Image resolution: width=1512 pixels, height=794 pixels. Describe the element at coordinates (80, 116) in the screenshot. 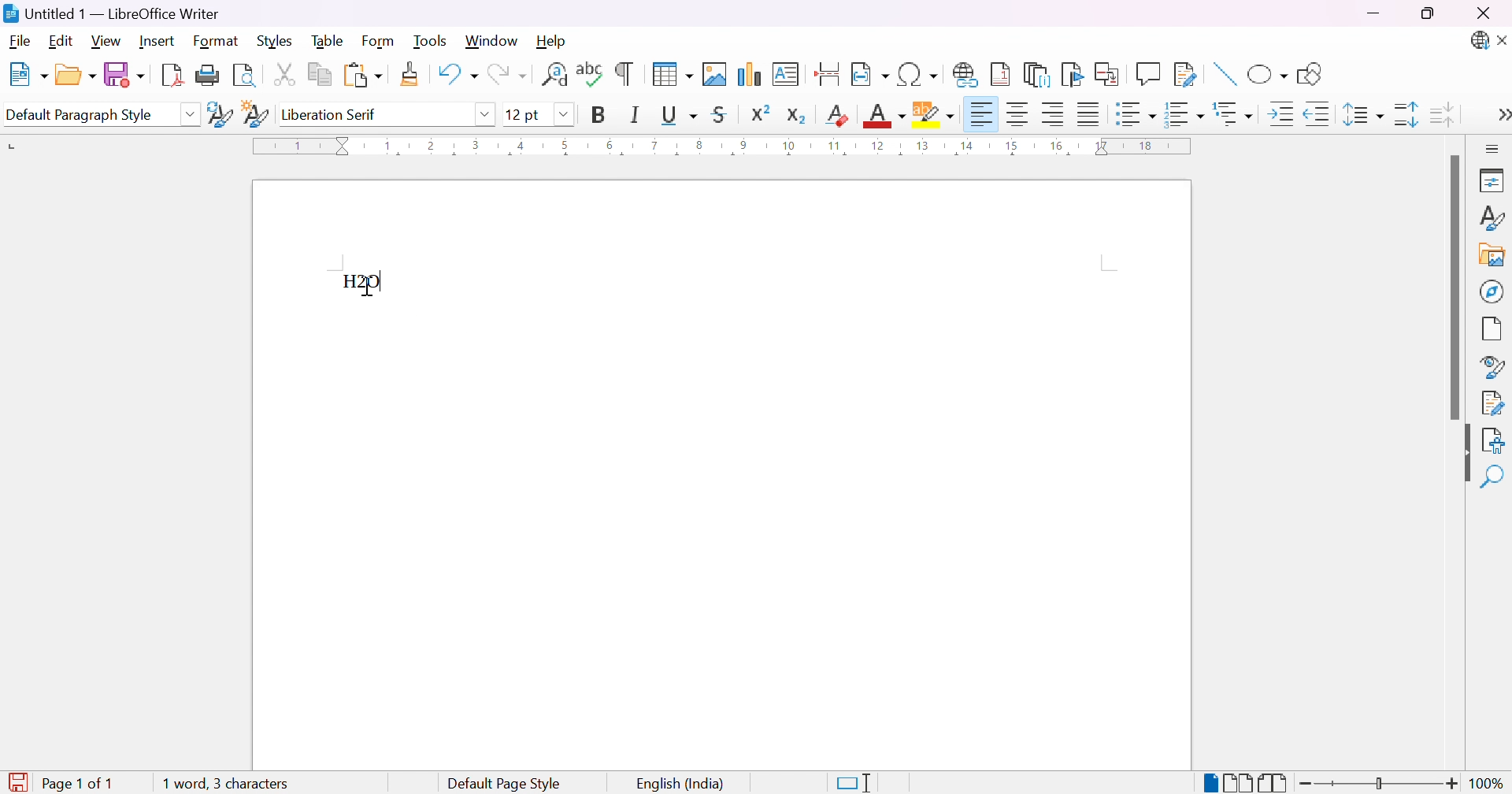

I see `Default paragraph style` at that location.